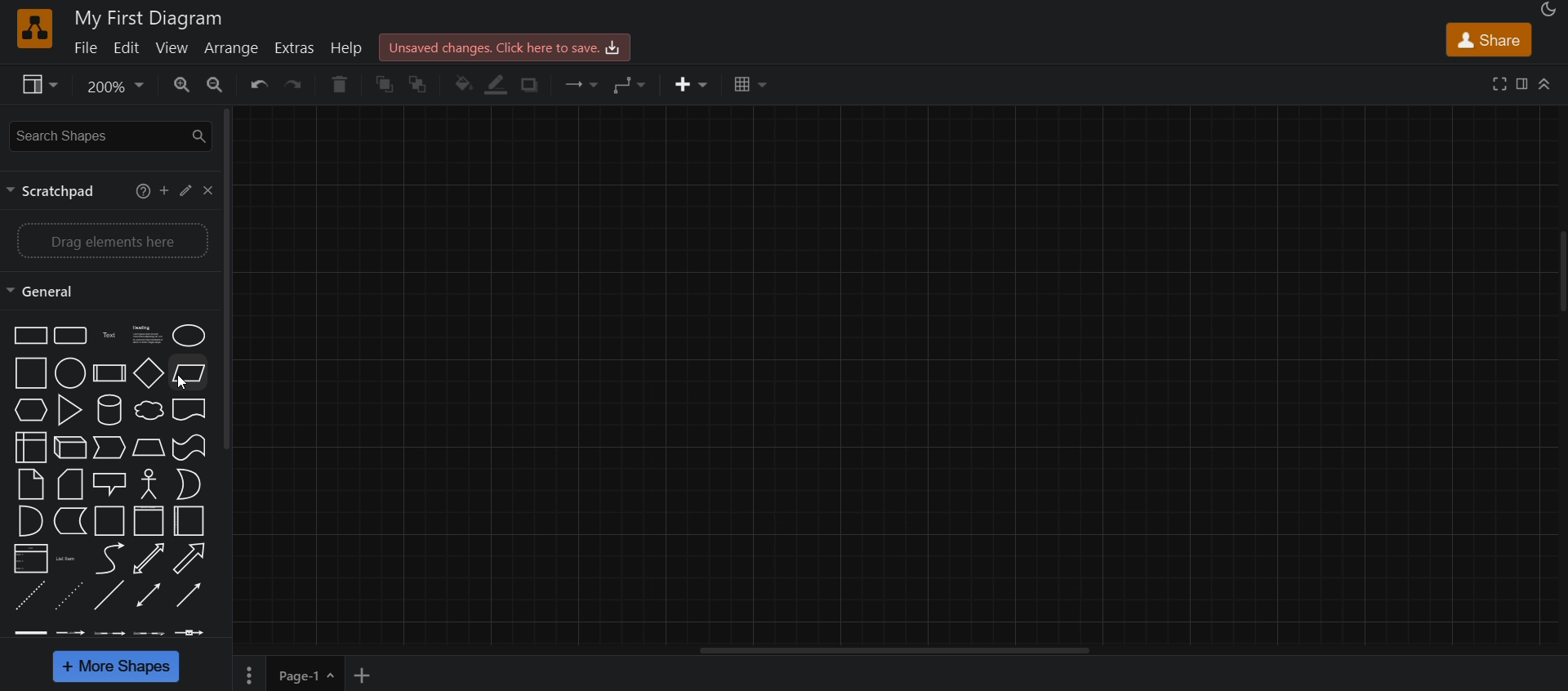 The width and height of the screenshot is (1568, 691). I want to click on more shapes, so click(119, 666).